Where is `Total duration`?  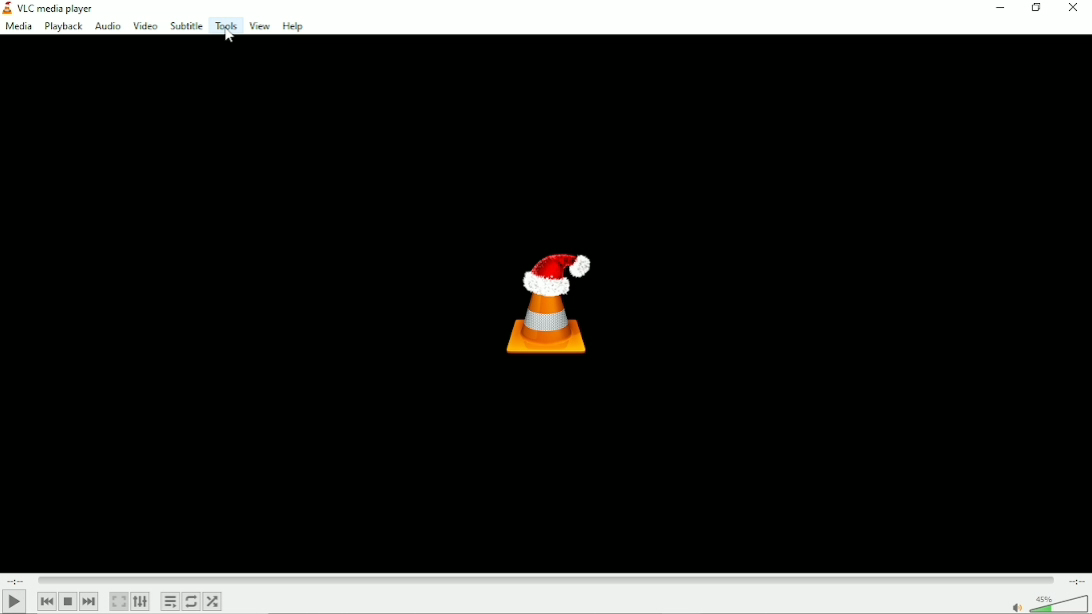 Total duration is located at coordinates (1076, 579).